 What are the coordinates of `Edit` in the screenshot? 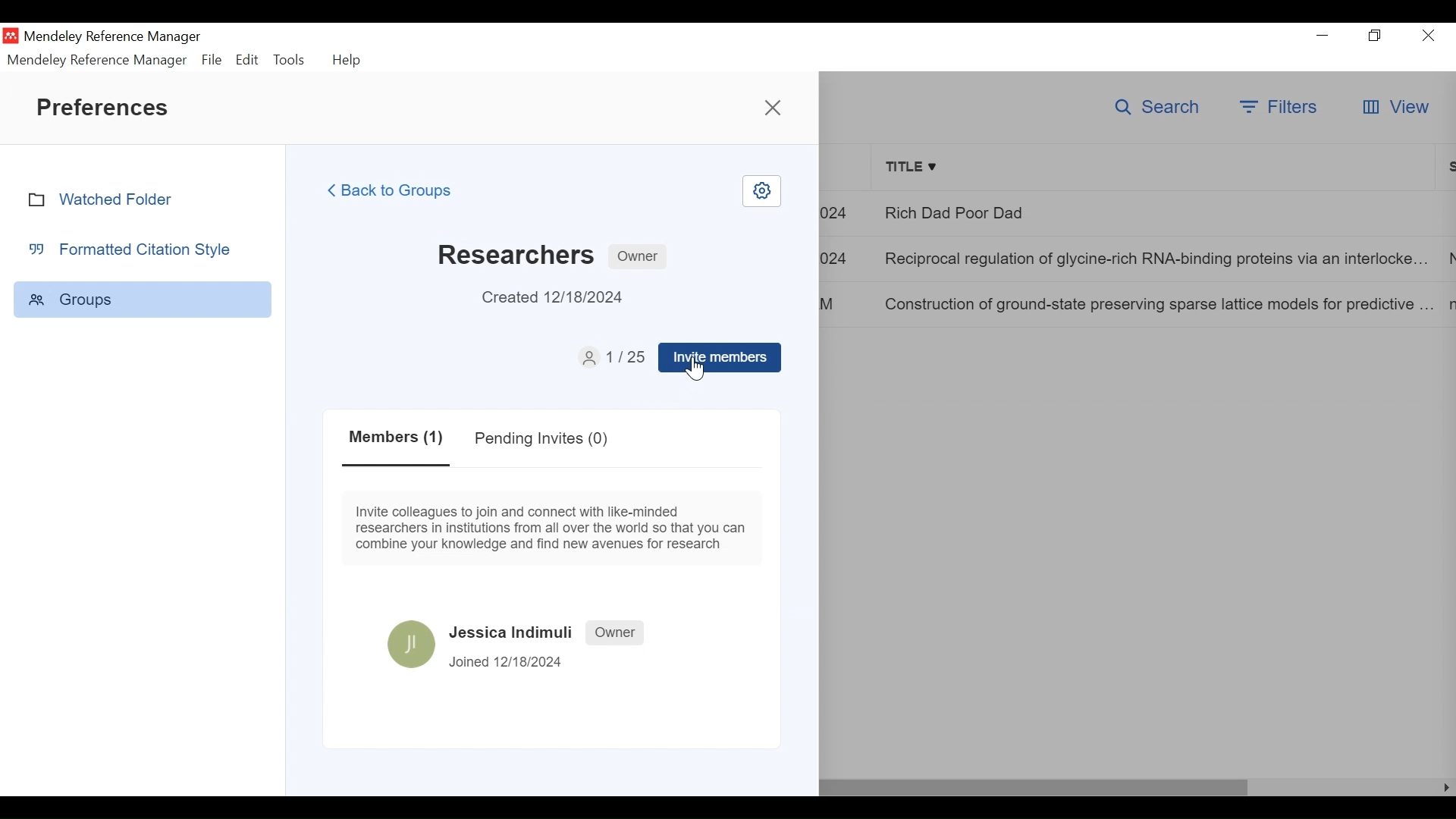 It's located at (246, 60).